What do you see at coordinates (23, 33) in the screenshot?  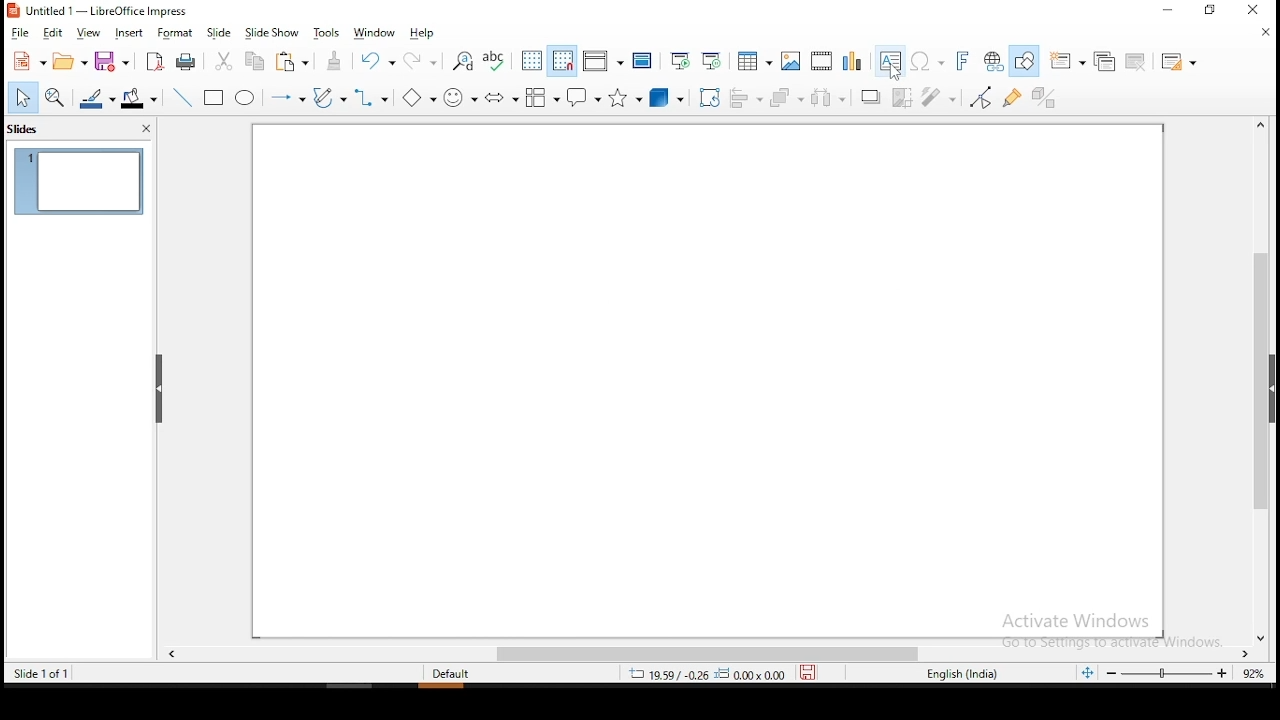 I see `file` at bounding box center [23, 33].